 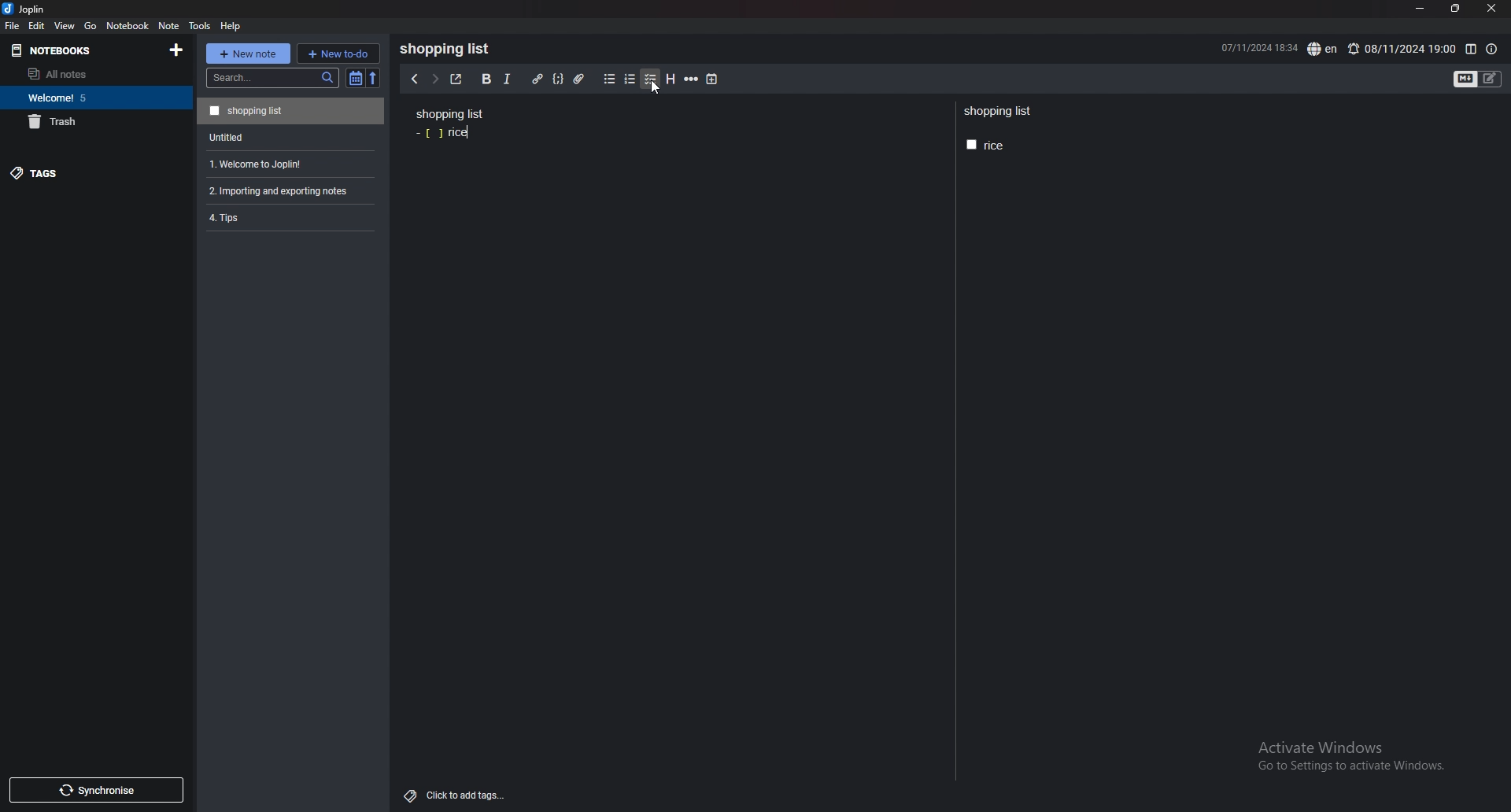 I want to click on go, so click(x=91, y=27).